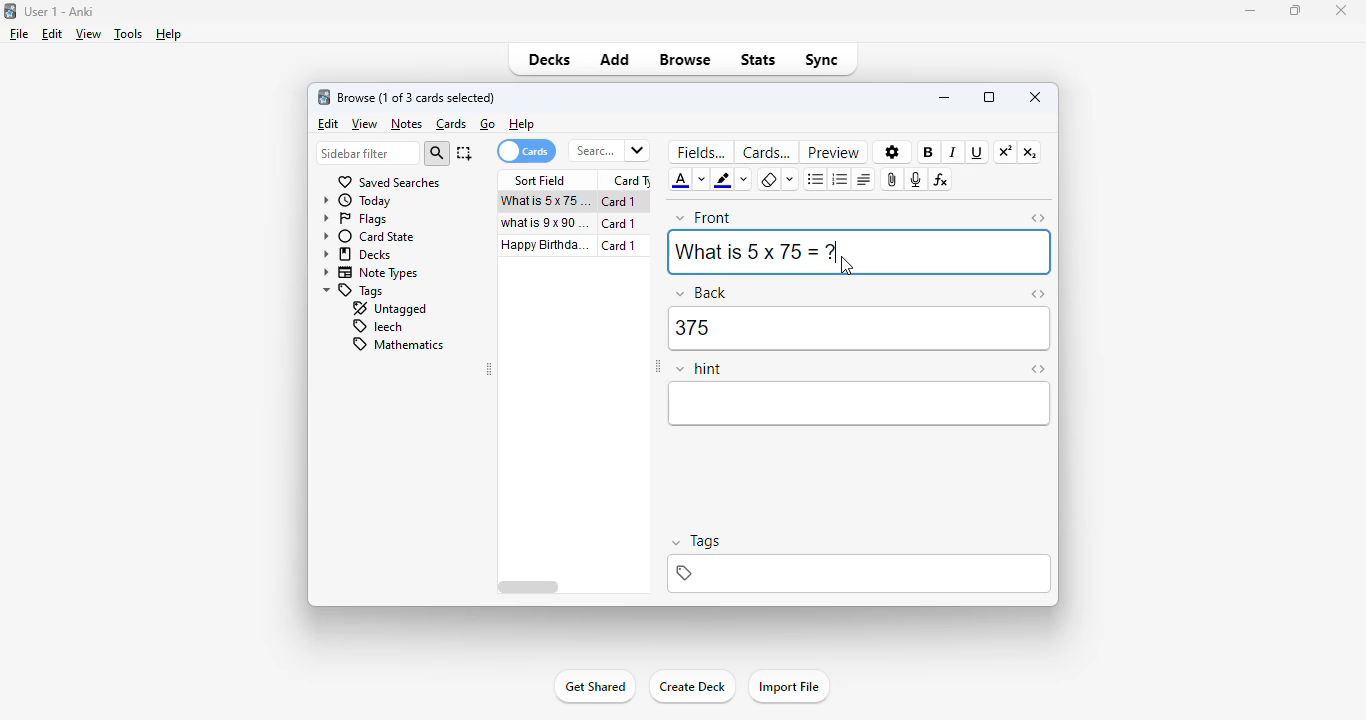 Image resolution: width=1366 pixels, height=720 pixels. Describe the element at coordinates (954, 152) in the screenshot. I see `italic` at that location.